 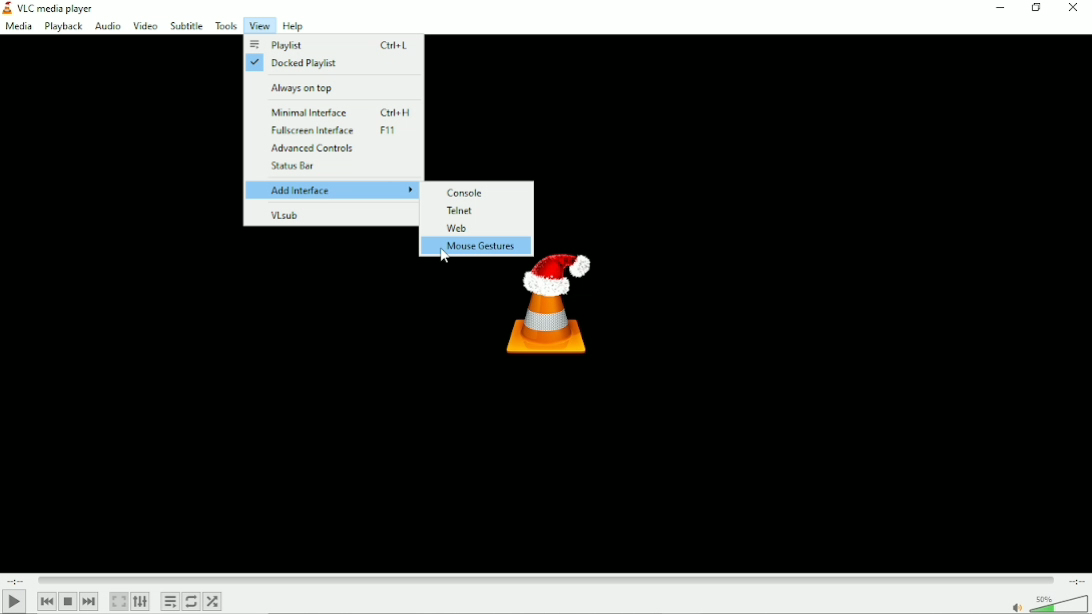 What do you see at coordinates (14, 602) in the screenshot?
I see `Play` at bounding box center [14, 602].